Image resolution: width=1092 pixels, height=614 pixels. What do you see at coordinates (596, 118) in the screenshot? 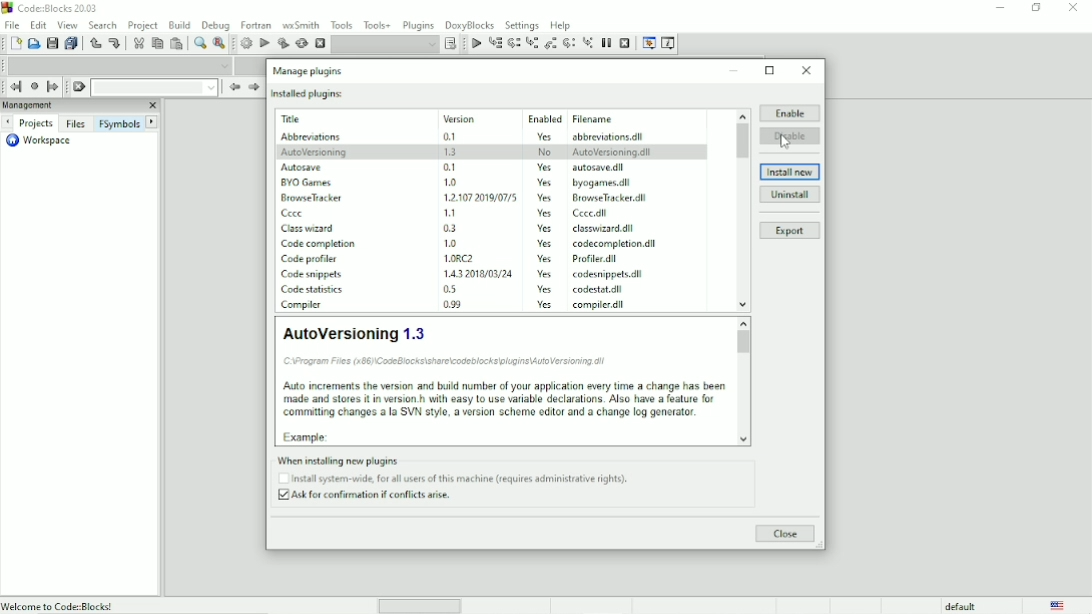
I see `Filename` at bounding box center [596, 118].